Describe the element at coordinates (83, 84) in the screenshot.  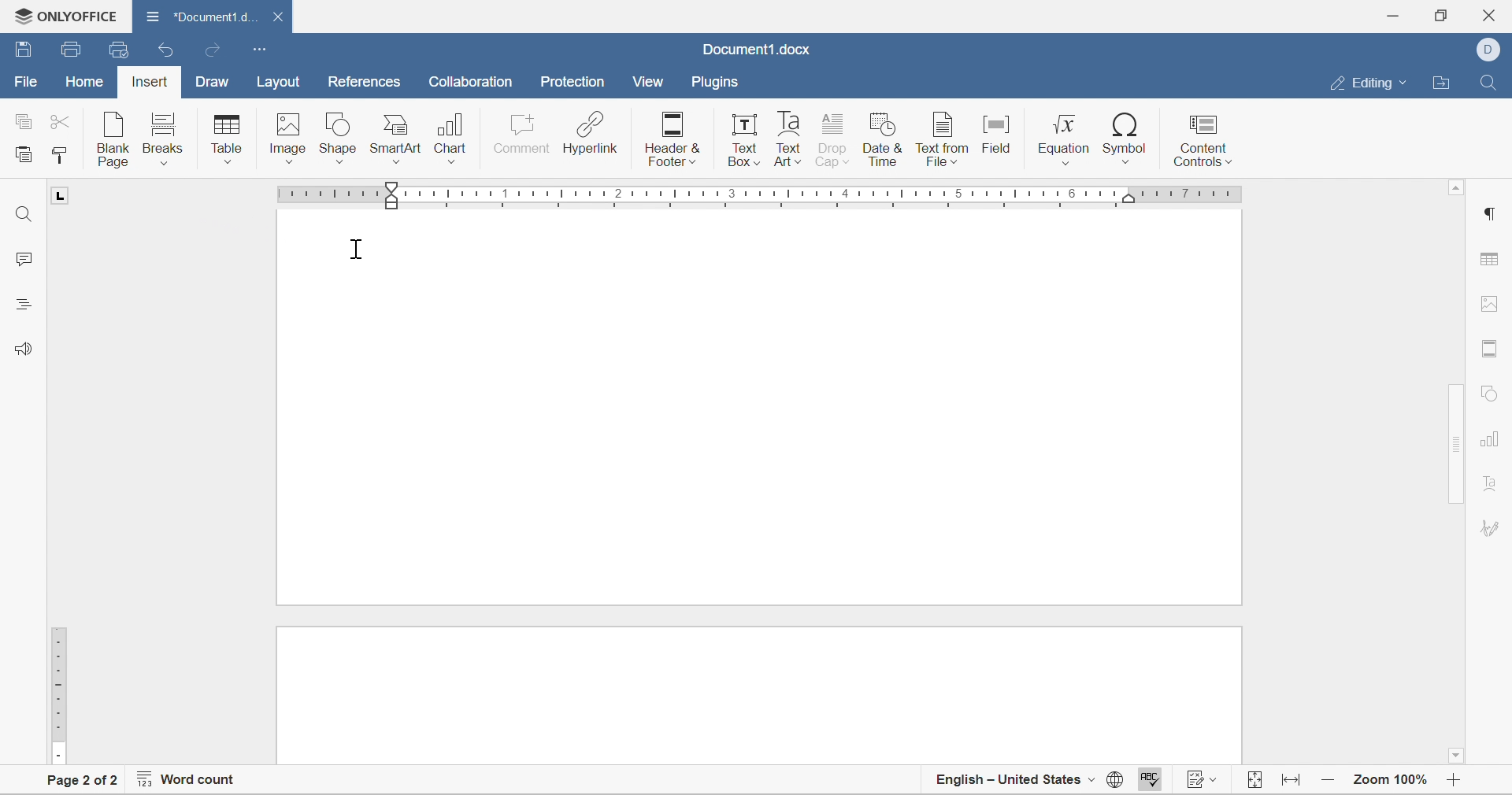
I see `Home` at that location.